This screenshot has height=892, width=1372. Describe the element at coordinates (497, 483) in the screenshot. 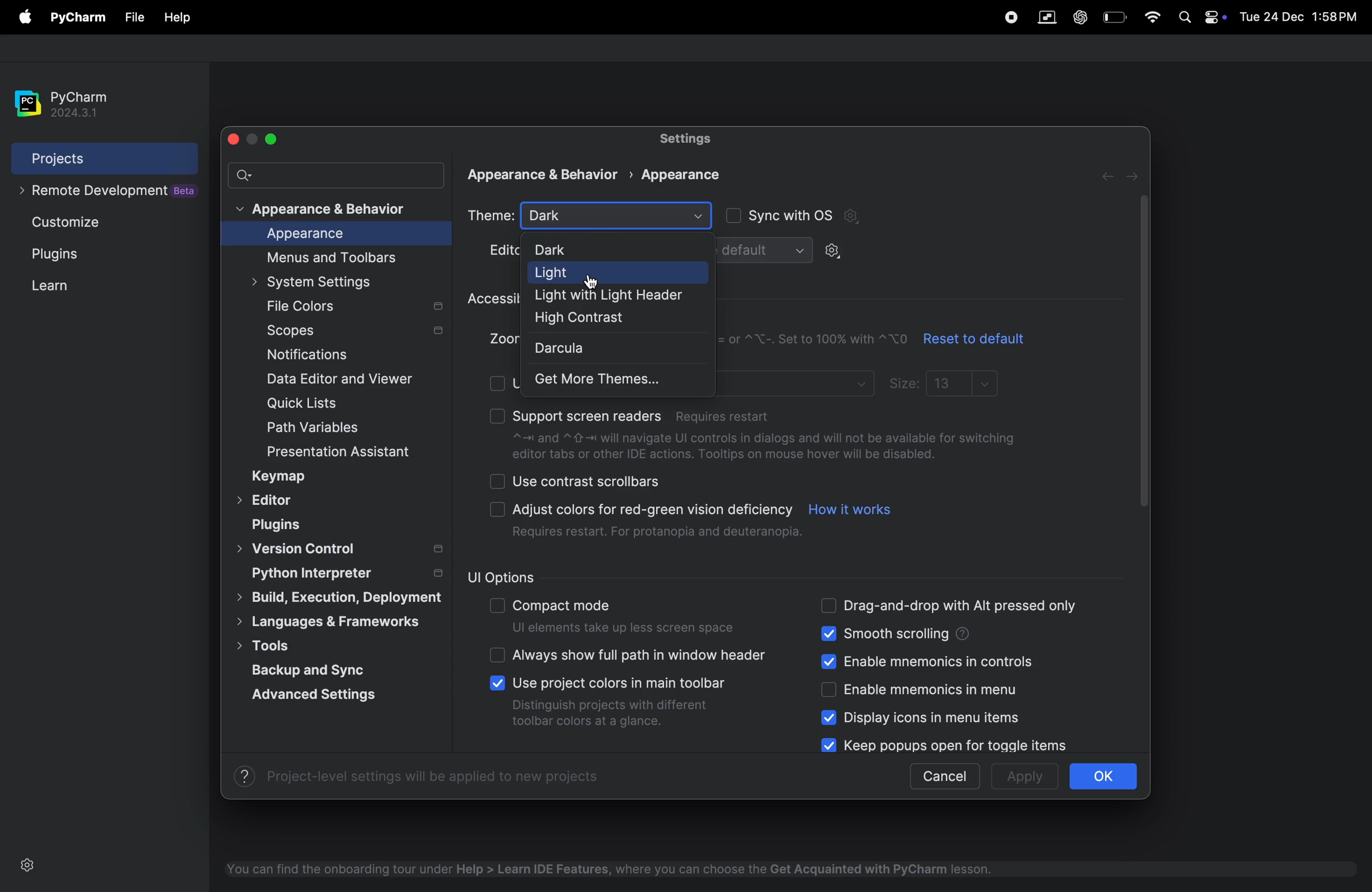

I see `check boxes` at that location.